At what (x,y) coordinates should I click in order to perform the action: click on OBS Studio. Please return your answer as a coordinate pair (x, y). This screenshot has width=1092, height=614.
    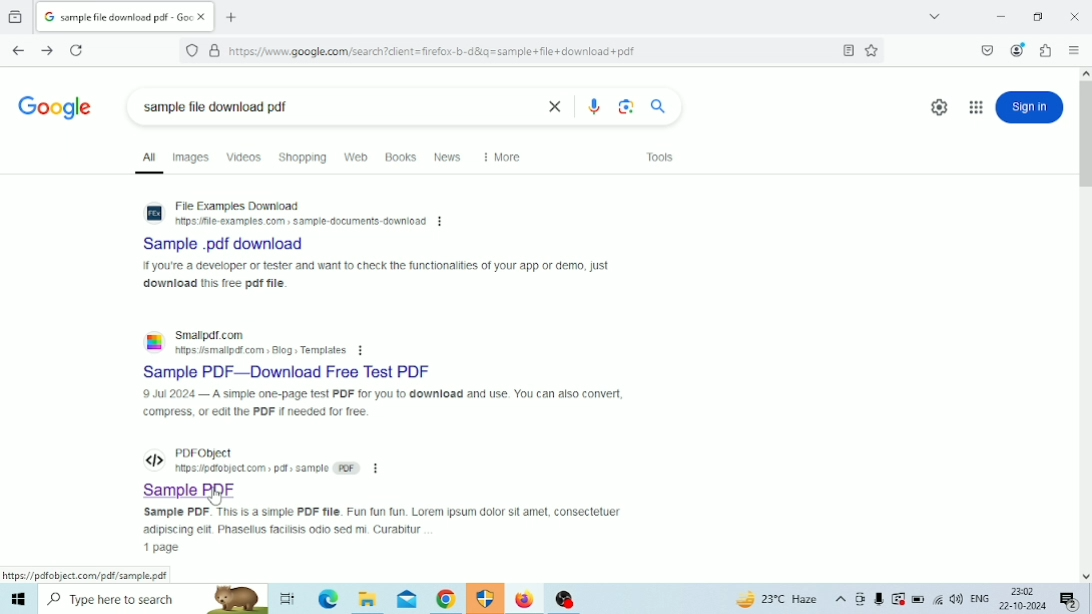
    Looking at the image, I should click on (566, 599).